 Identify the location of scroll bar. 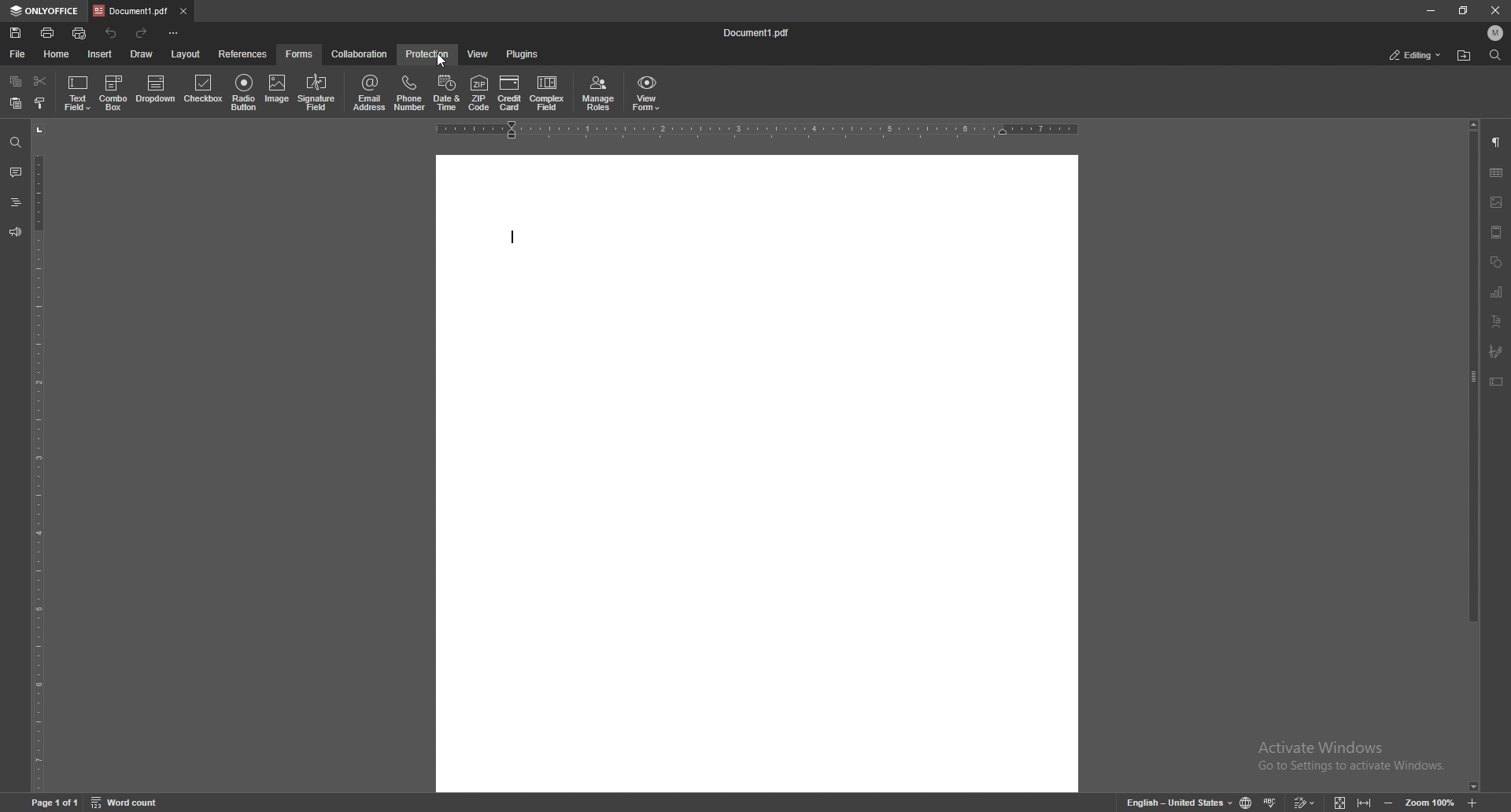
(1472, 456).